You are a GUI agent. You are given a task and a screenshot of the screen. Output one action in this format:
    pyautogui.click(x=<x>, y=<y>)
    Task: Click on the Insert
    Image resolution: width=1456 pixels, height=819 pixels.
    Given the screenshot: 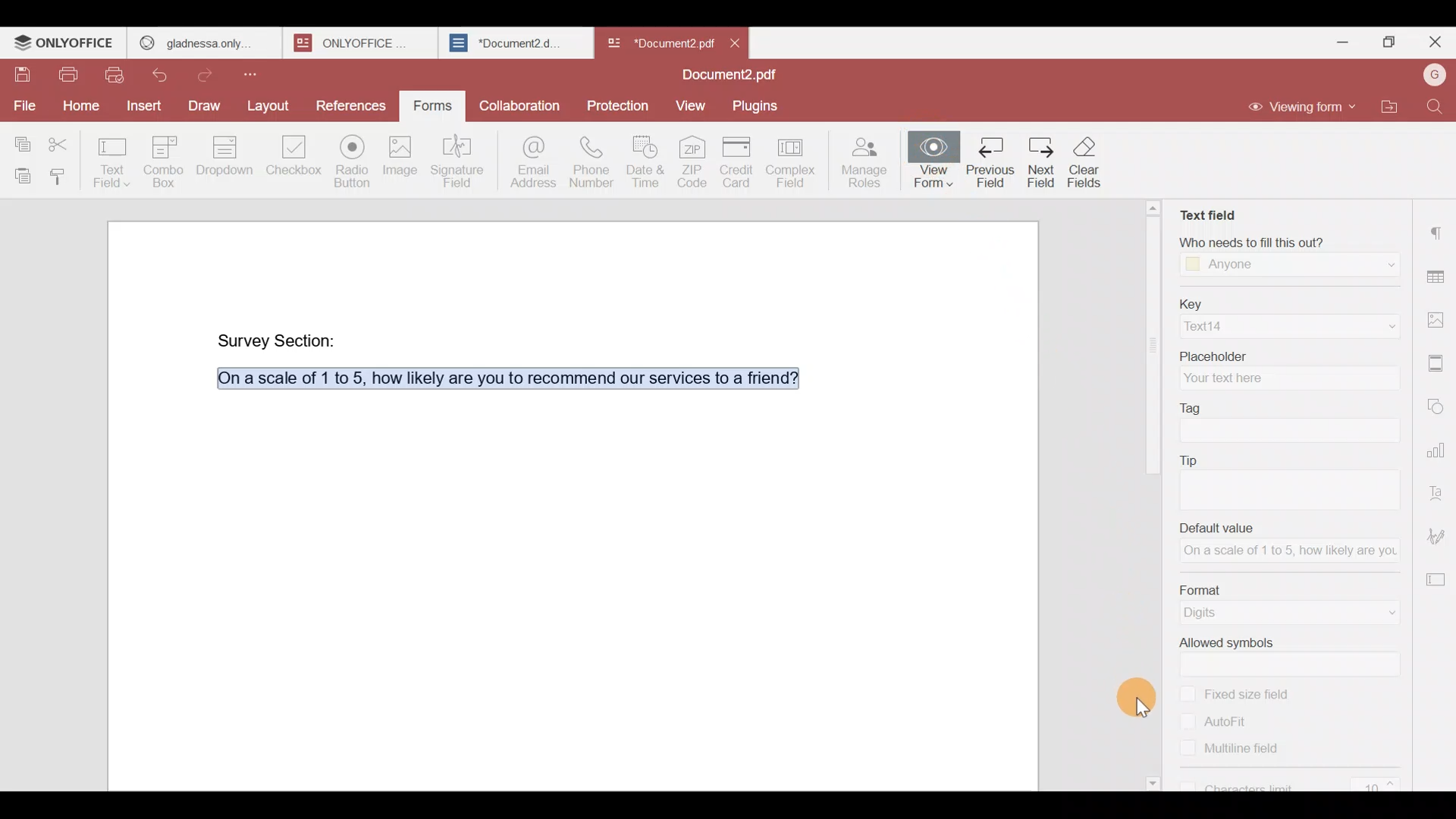 What is the action you would take?
    pyautogui.click(x=144, y=109)
    